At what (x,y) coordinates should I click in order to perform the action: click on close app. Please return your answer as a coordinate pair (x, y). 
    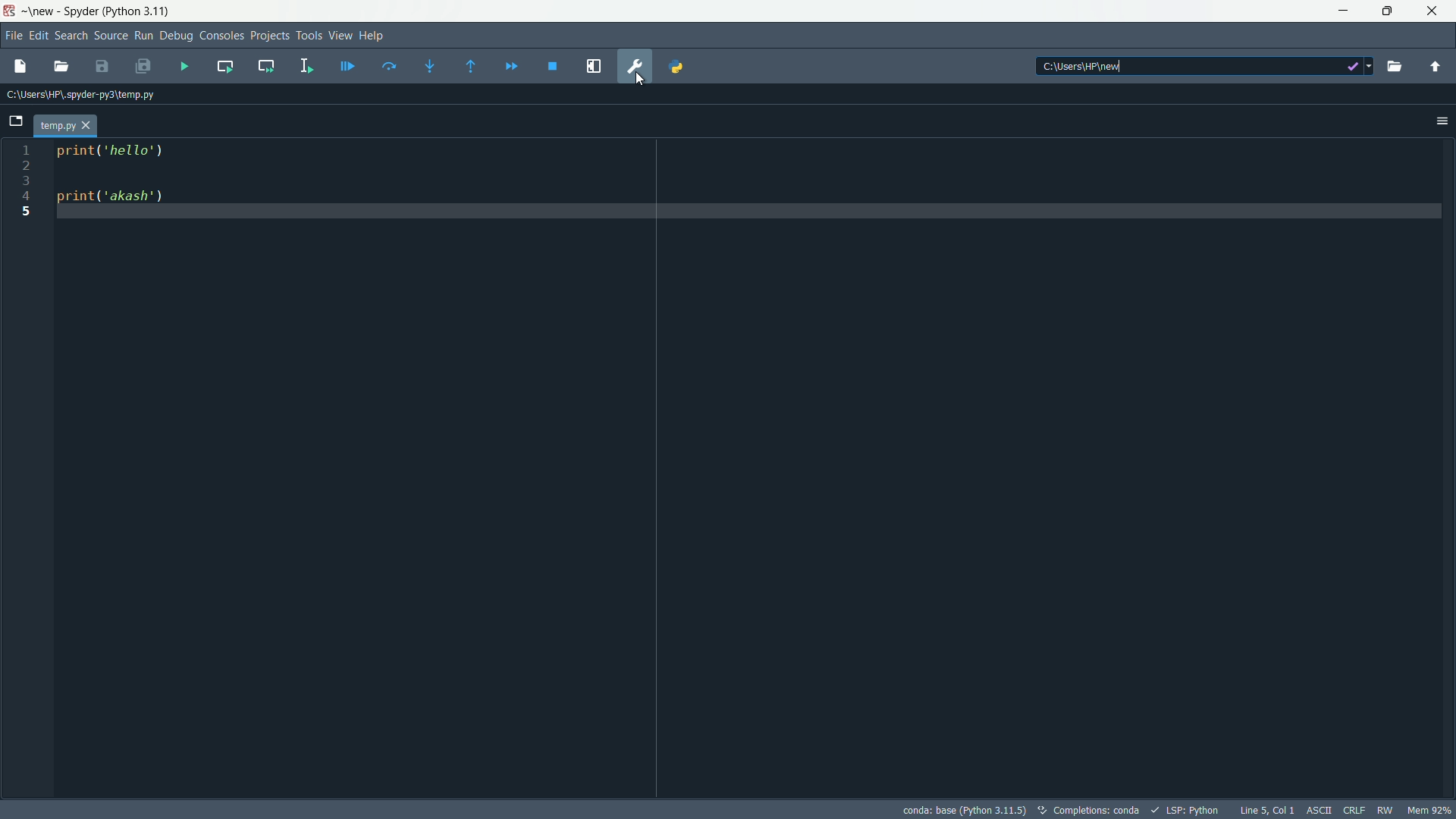
    Looking at the image, I should click on (1435, 11).